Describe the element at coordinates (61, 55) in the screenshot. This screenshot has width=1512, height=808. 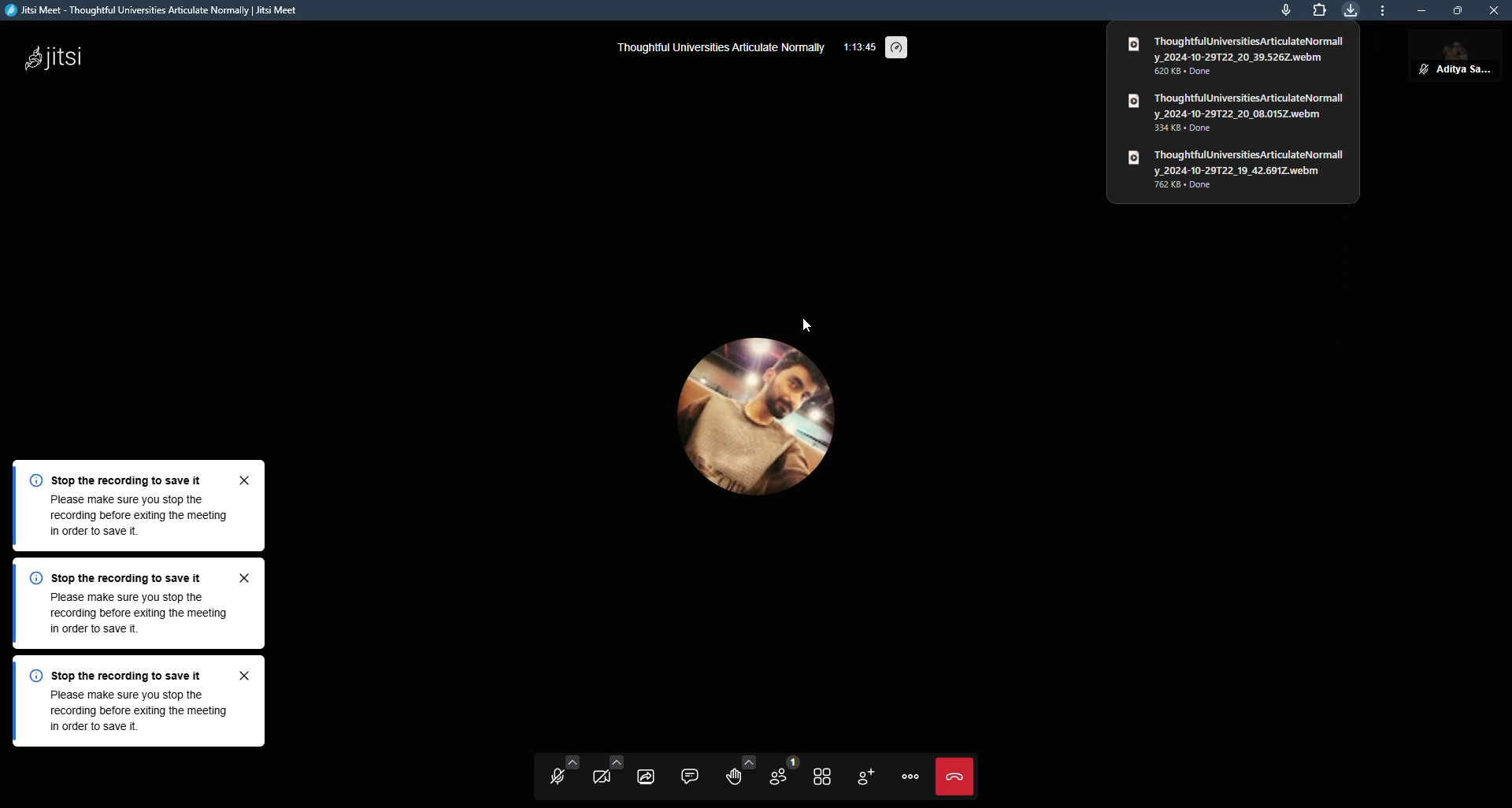
I see `jitsi` at that location.